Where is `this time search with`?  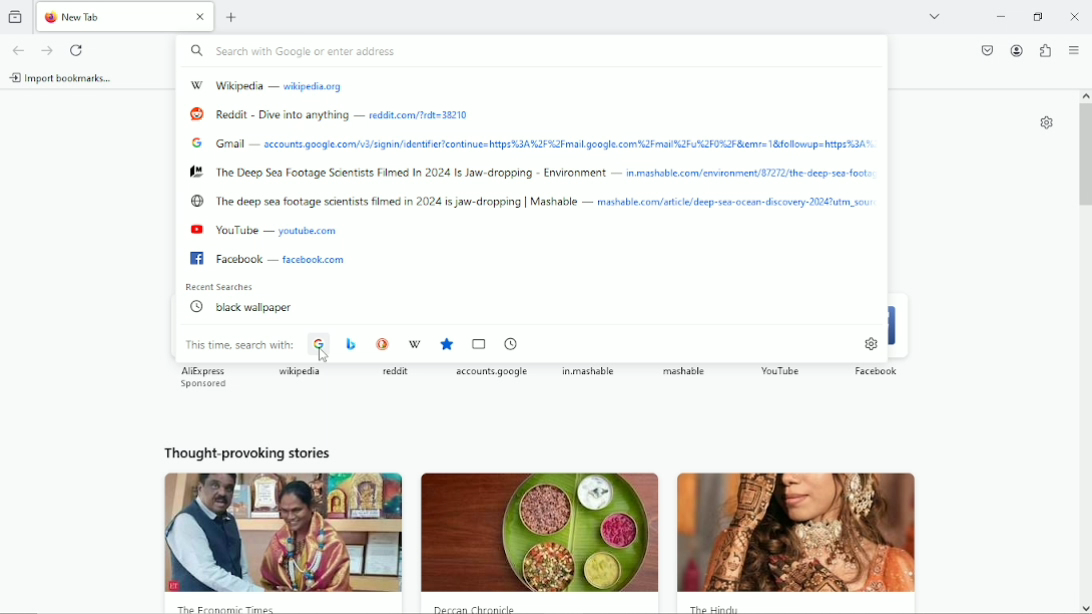
this time search with is located at coordinates (240, 345).